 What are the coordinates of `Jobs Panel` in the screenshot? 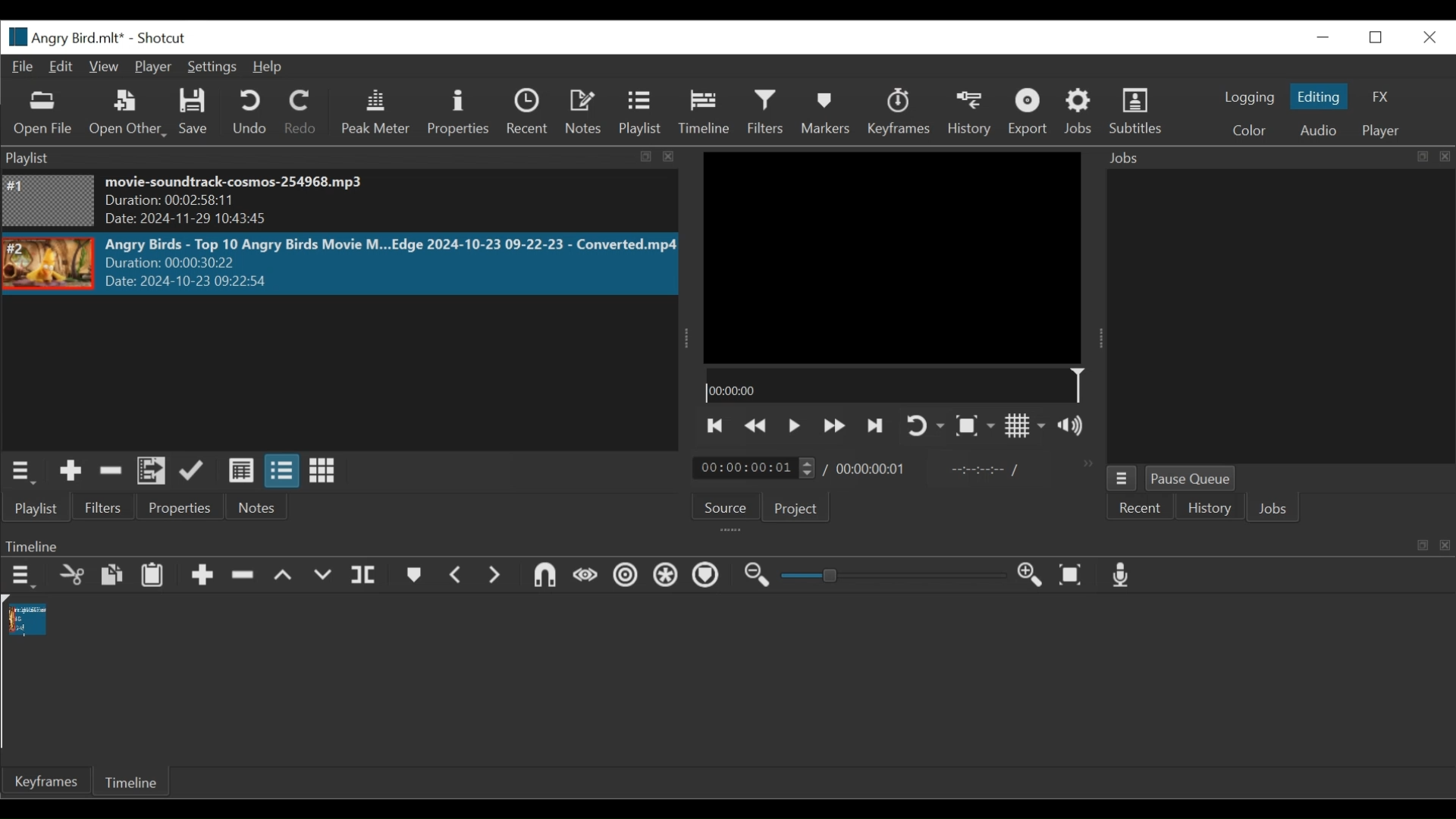 It's located at (1265, 317).